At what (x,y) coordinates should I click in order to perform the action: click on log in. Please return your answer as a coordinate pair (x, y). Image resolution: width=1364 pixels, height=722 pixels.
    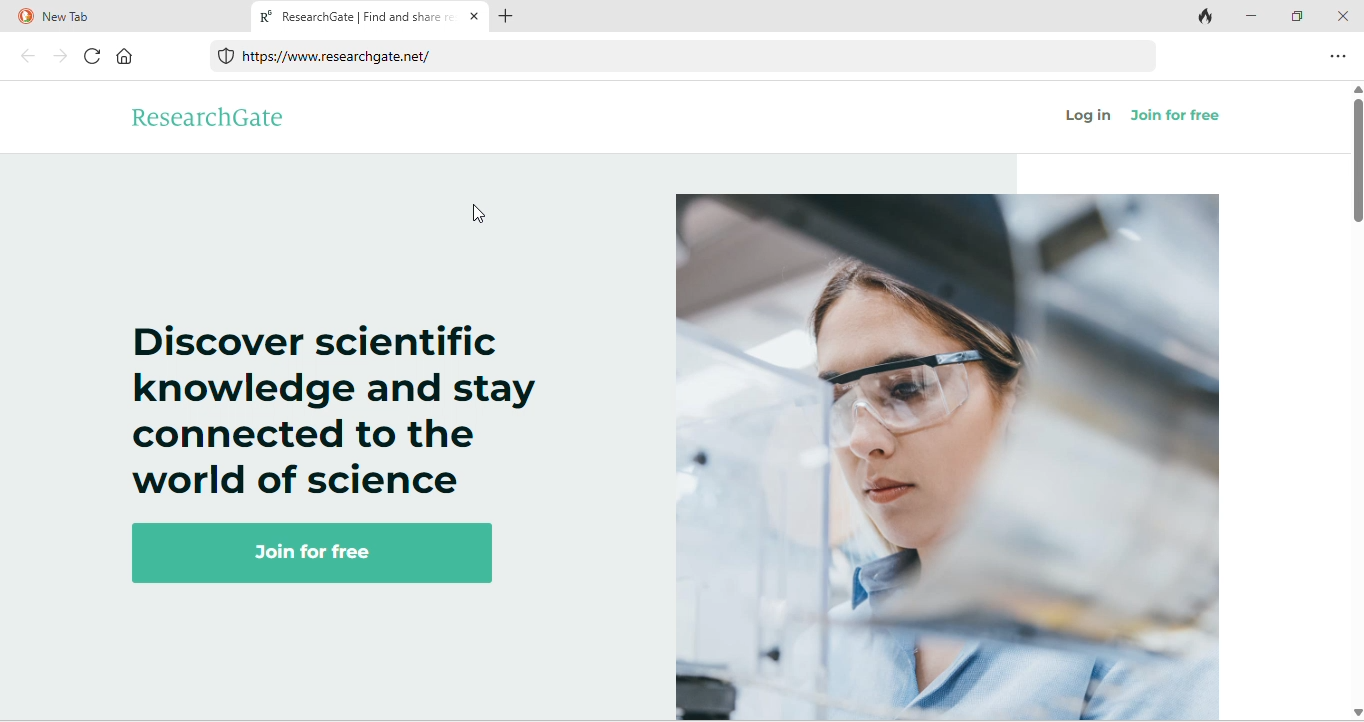
    Looking at the image, I should click on (1090, 118).